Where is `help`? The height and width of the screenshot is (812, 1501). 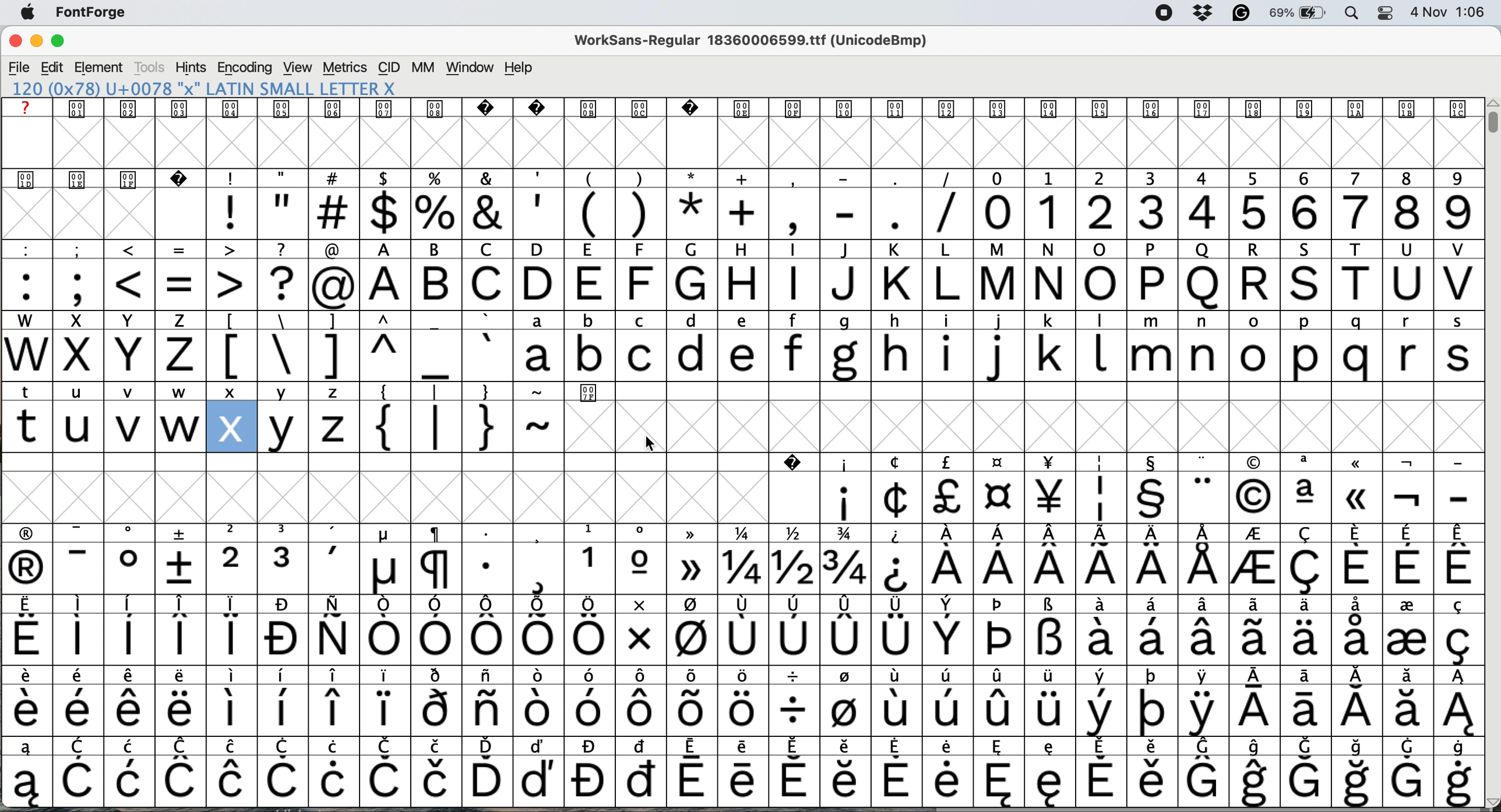 help is located at coordinates (520, 68).